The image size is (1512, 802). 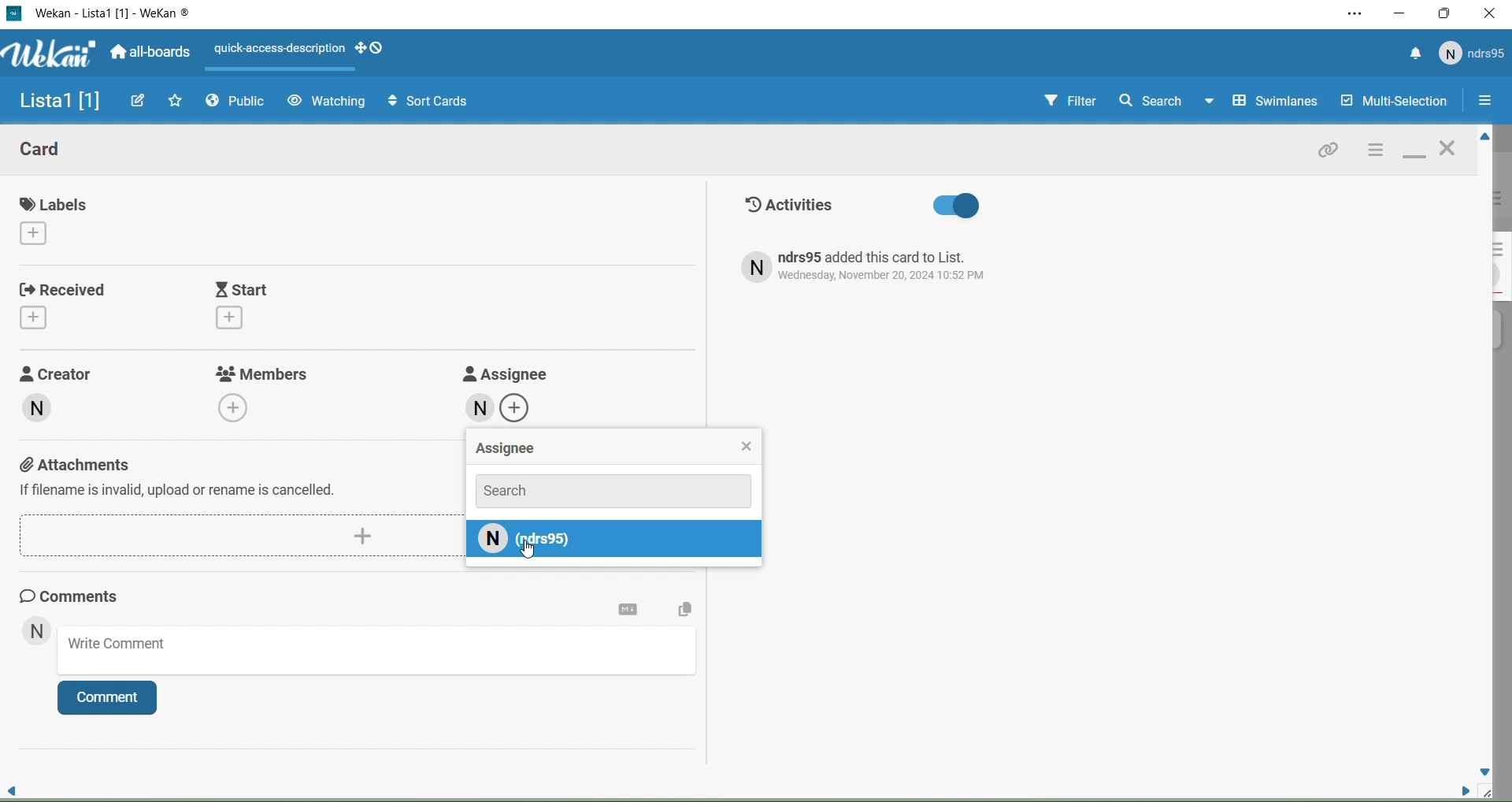 What do you see at coordinates (1415, 55) in the screenshot?
I see `Notifications` at bounding box center [1415, 55].